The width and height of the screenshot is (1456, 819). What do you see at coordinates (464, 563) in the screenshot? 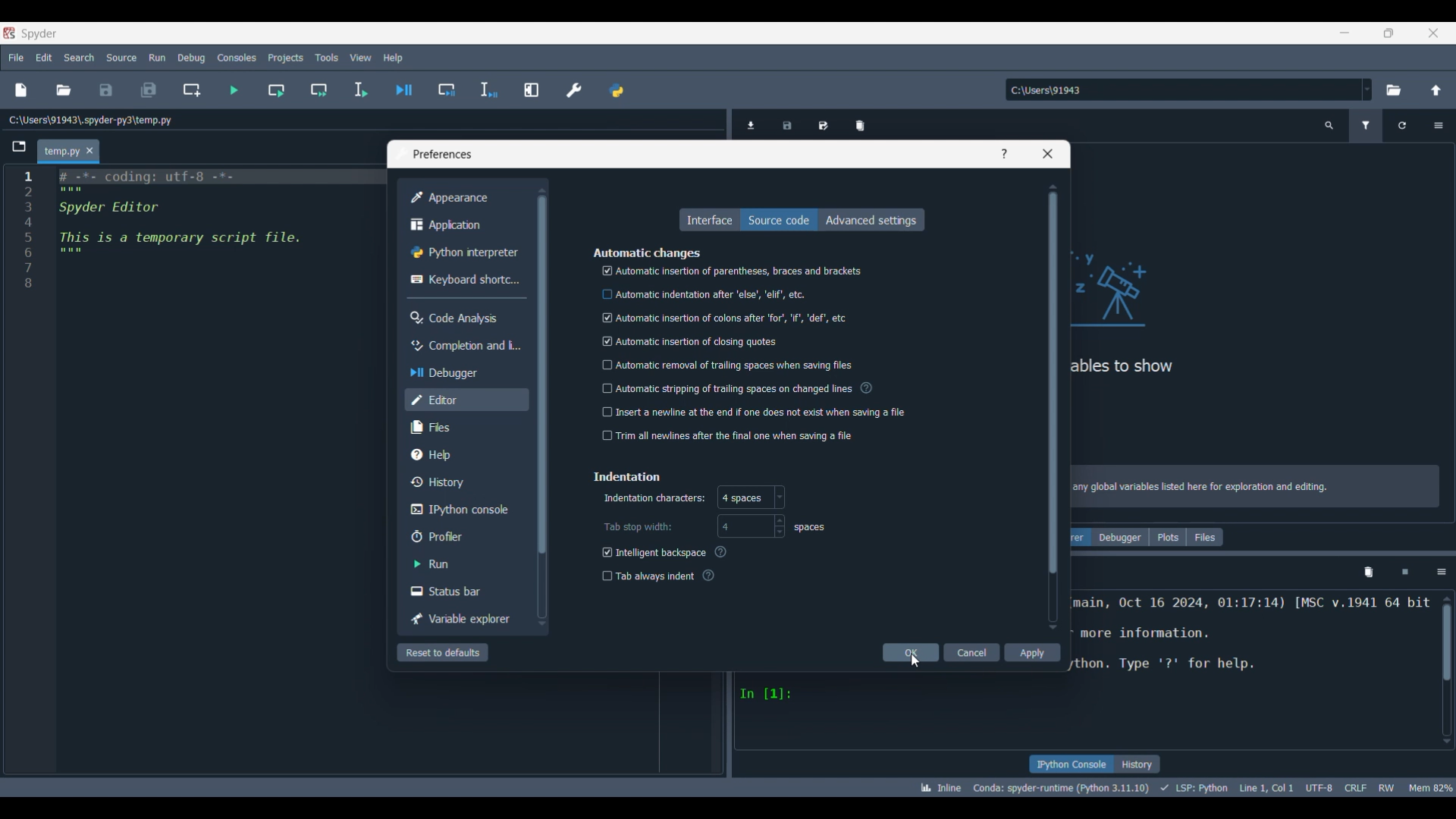
I see `Run` at bounding box center [464, 563].